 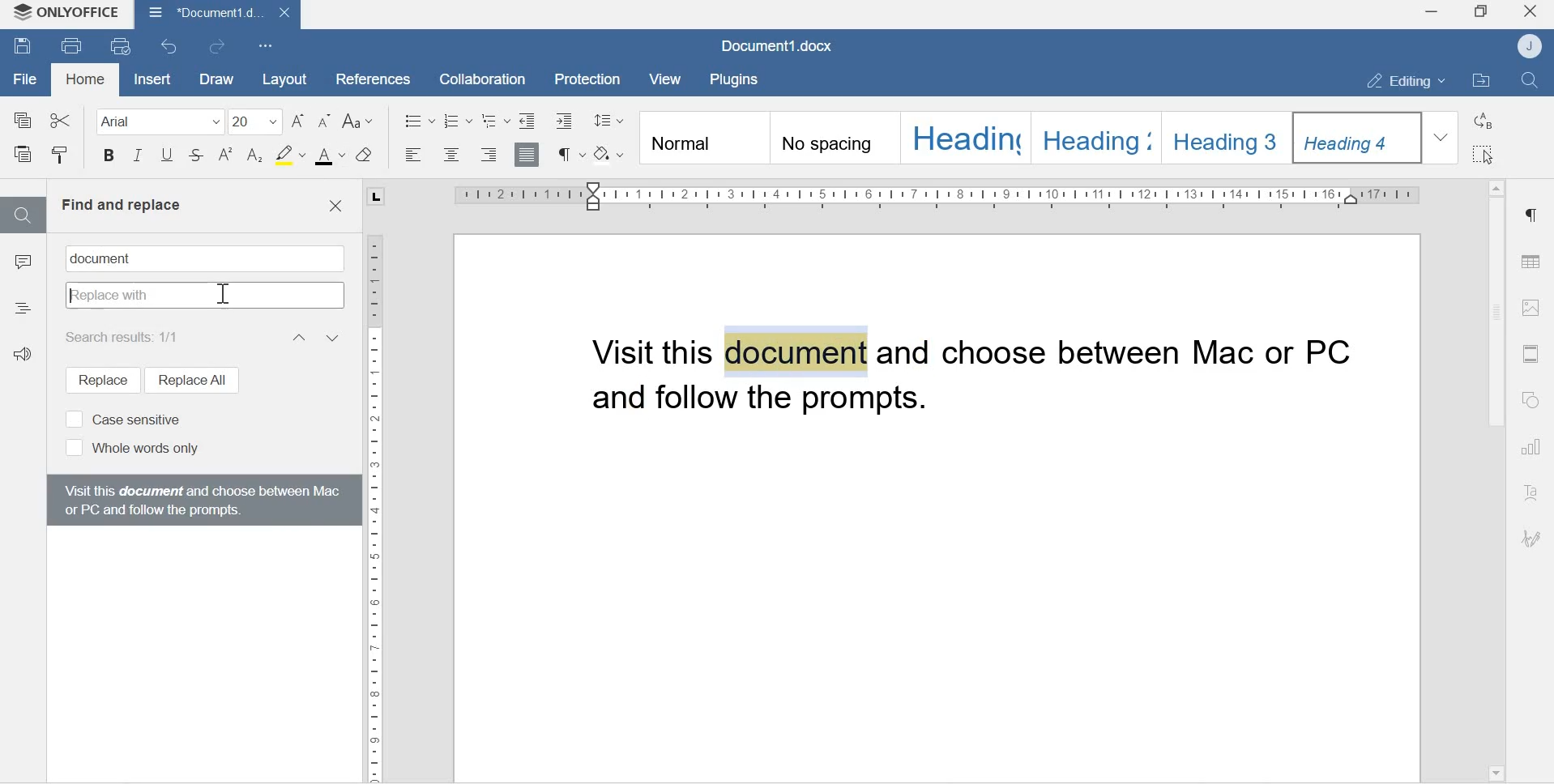 I want to click on Subscript, so click(x=255, y=156).